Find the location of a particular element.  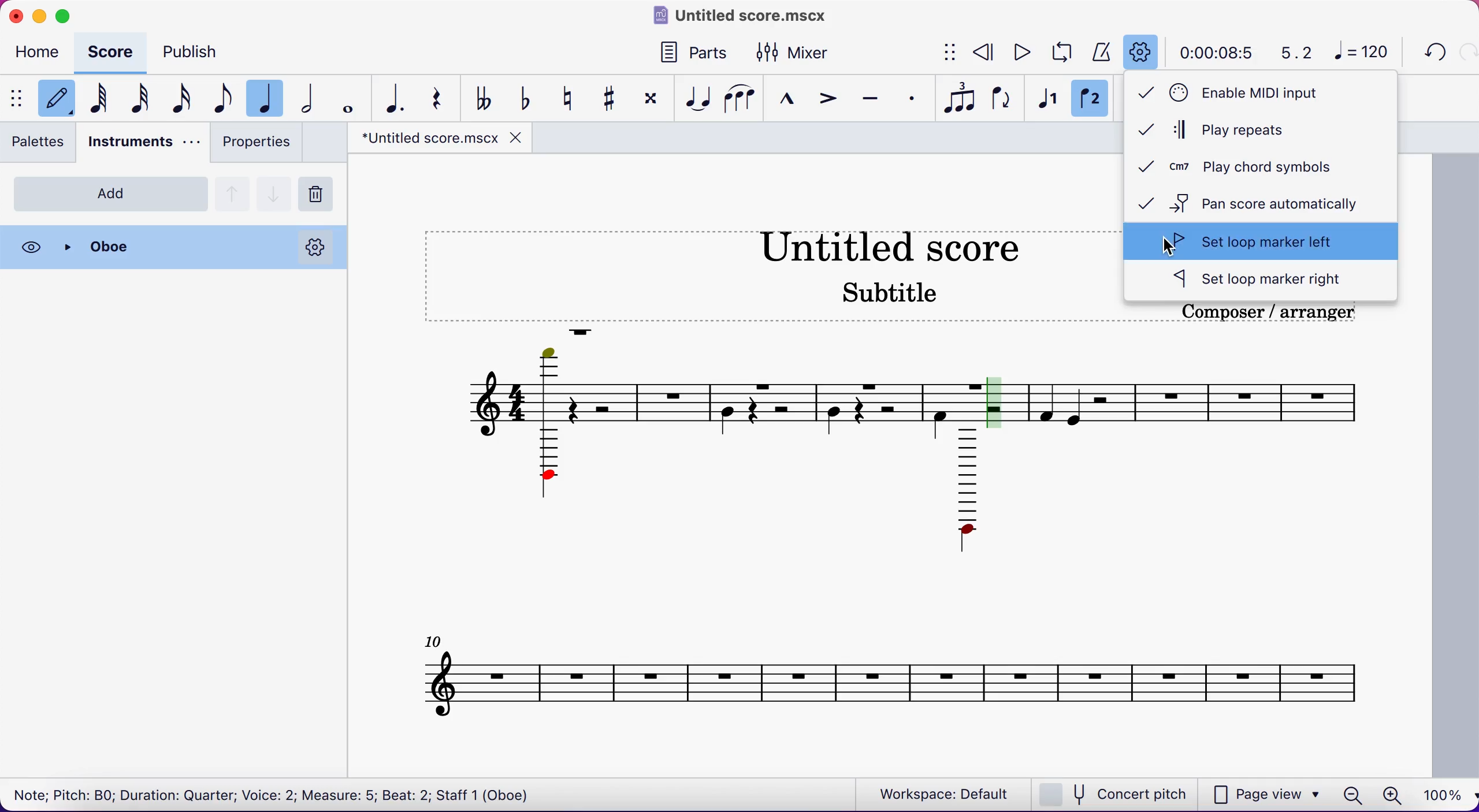

properties is located at coordinates (255, 145).